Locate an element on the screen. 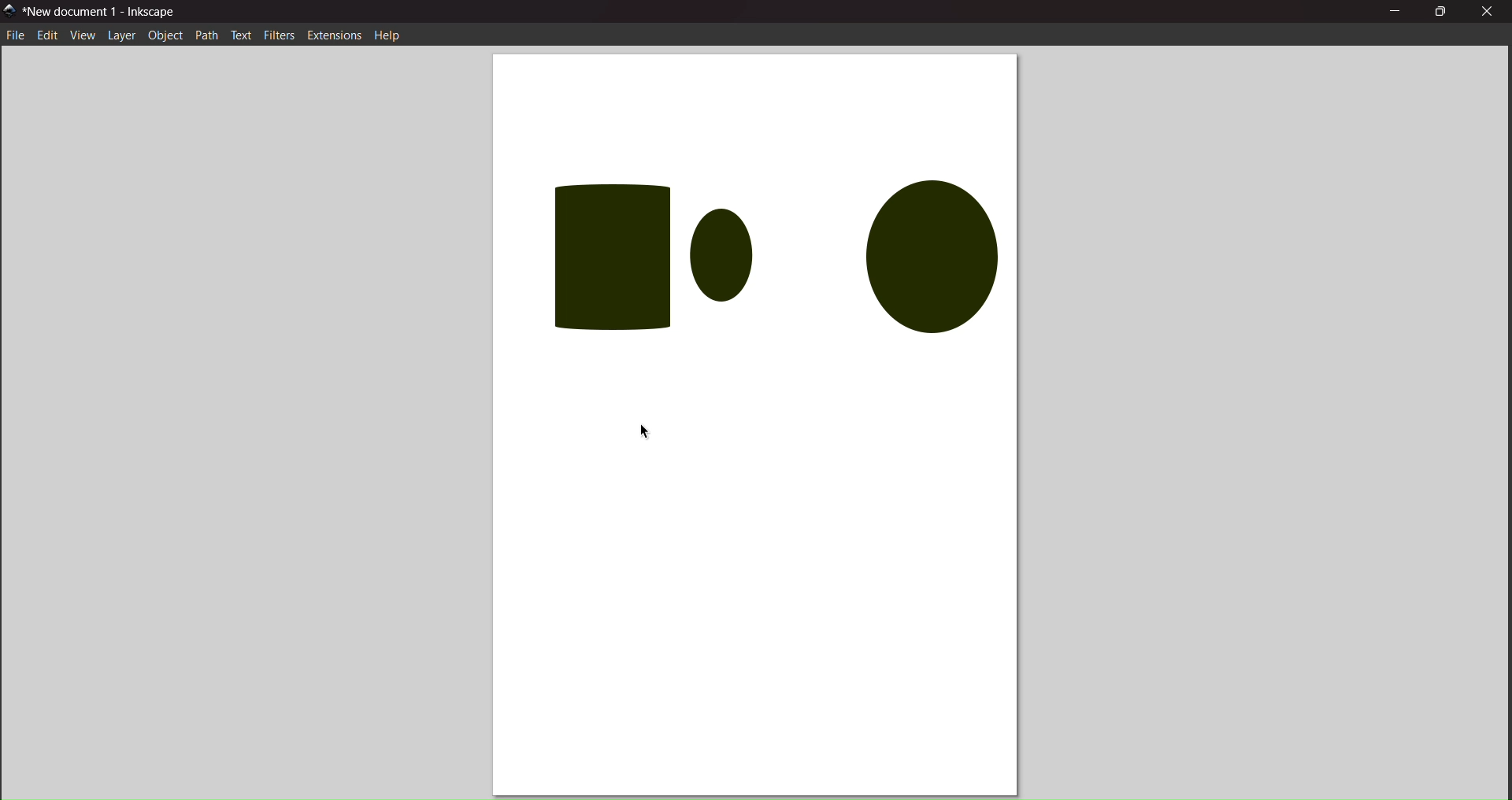 This screenshot has width=1512, height=800. cursor is located at coordinates (650, 428).